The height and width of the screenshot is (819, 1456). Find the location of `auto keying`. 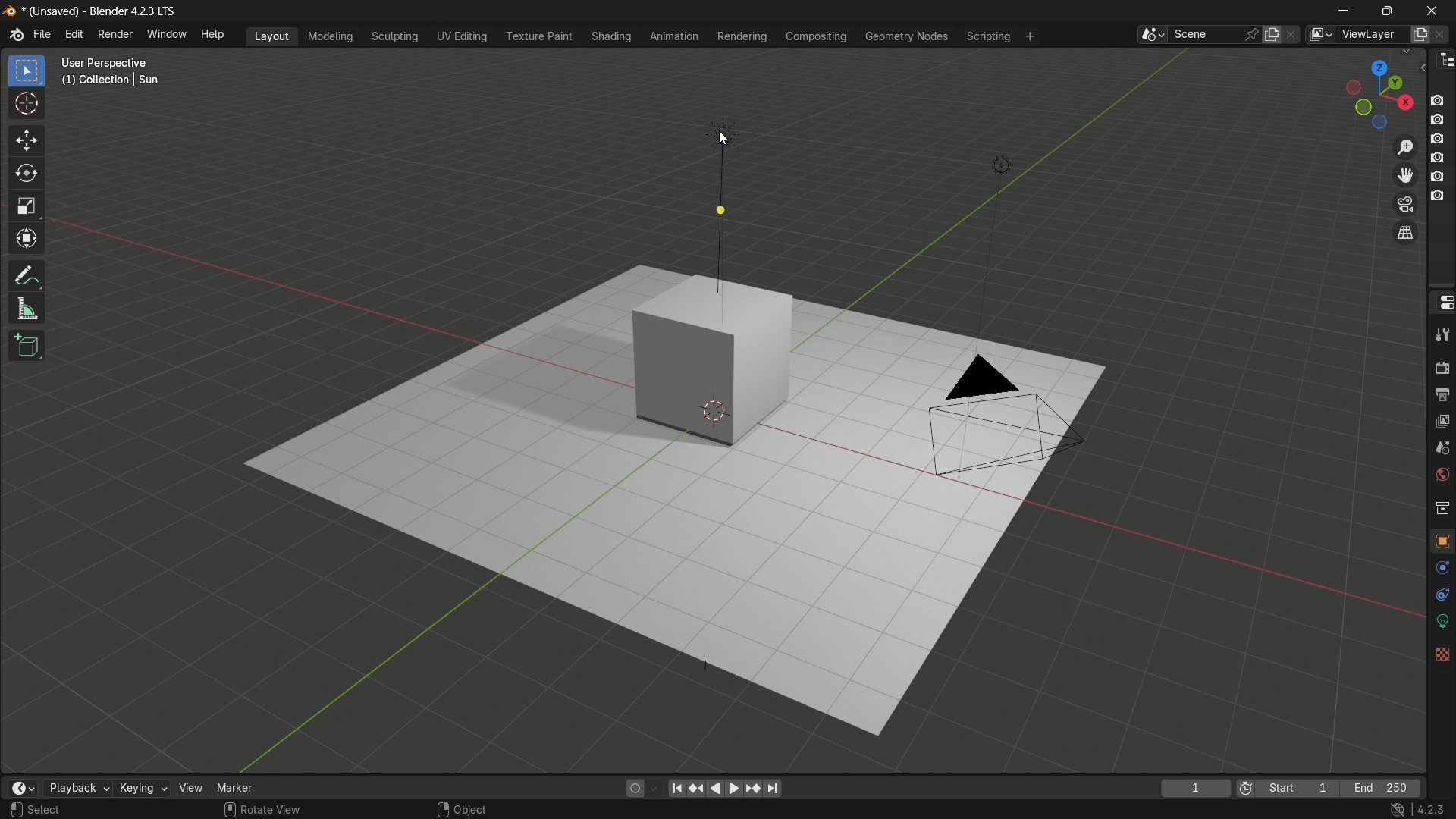

auto keying is located at coordinates (632, 789).